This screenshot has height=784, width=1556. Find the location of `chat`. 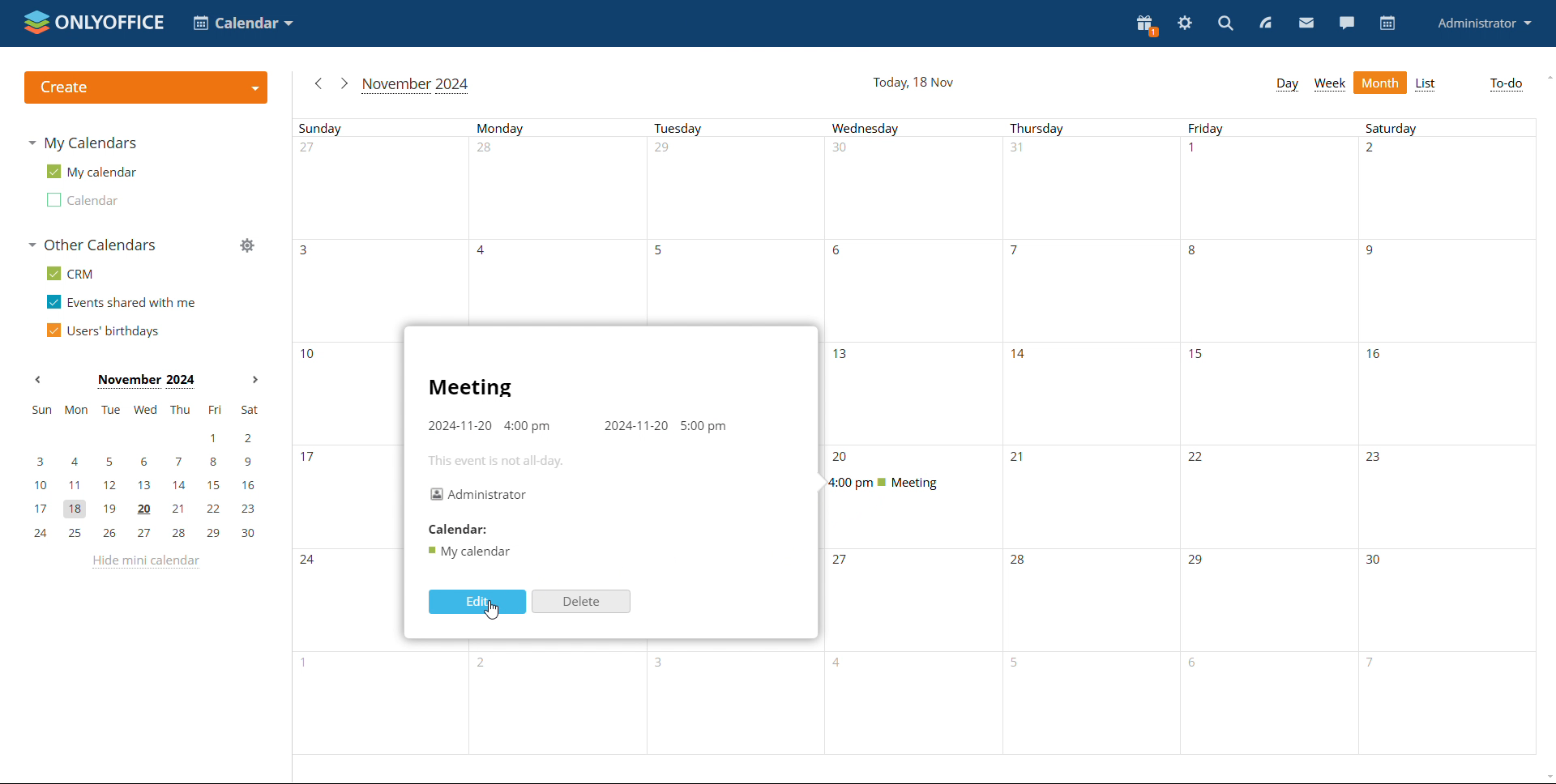

chat is located at coordinates (1346, 23).